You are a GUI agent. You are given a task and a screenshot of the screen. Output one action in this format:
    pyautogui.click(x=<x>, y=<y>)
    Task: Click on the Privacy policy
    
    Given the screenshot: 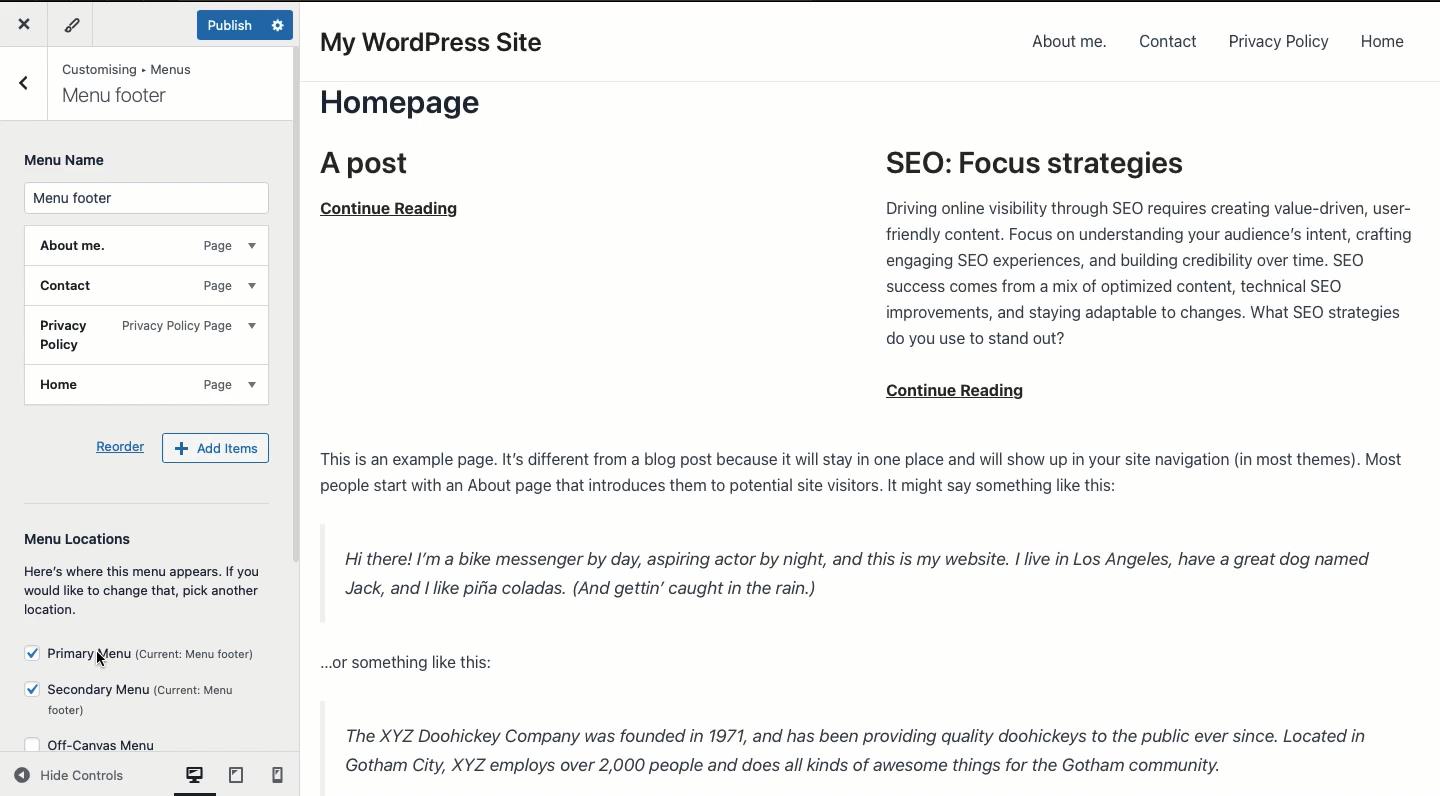 What is the action you would take?
    pyautogui.click(x=146, y=337)
    